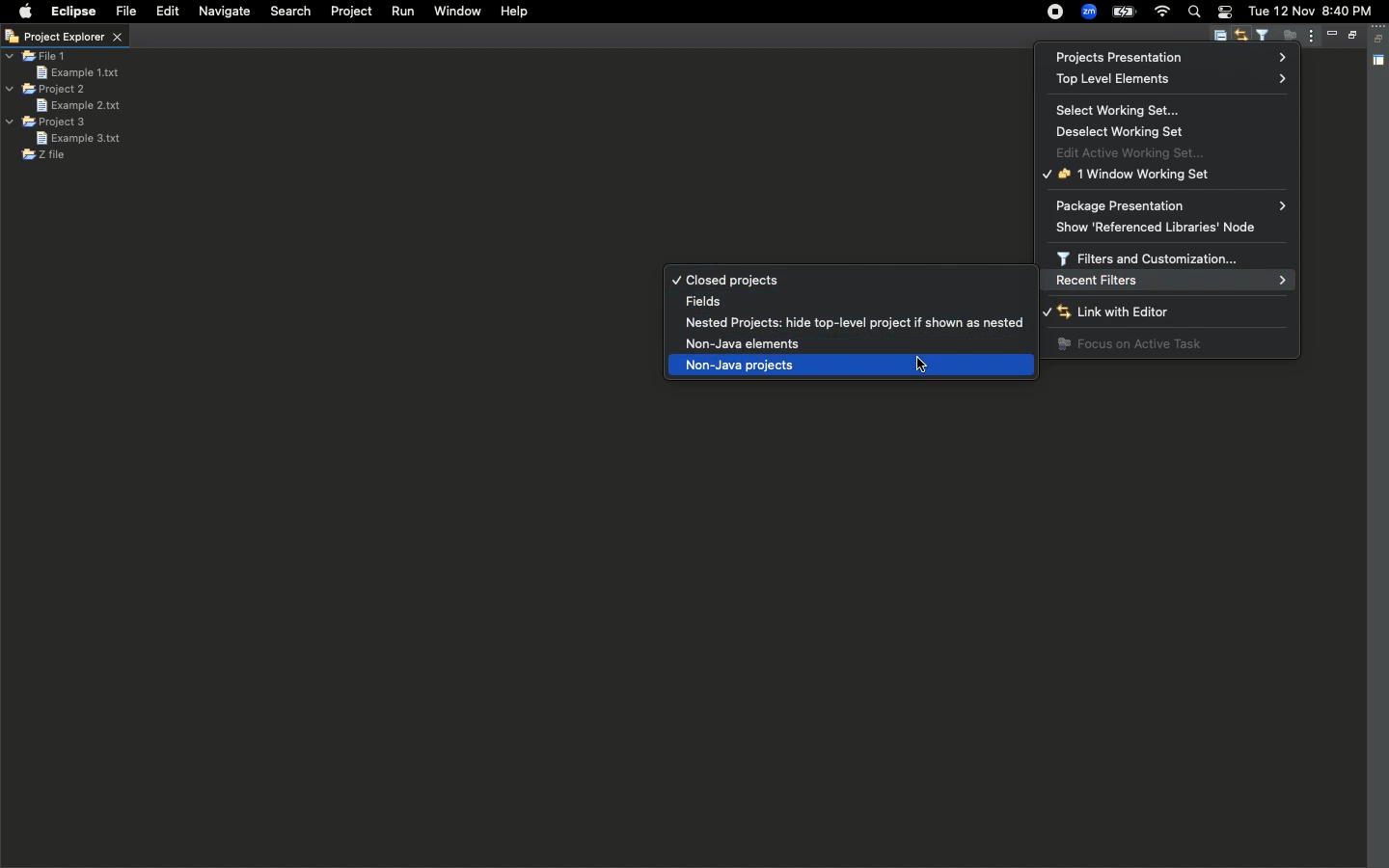 The height and width of the screenshot is (868, 1389). What do you see at coordinates (516, 13) in the screenshot?
I see `Help` at bounding box center [516, 13].